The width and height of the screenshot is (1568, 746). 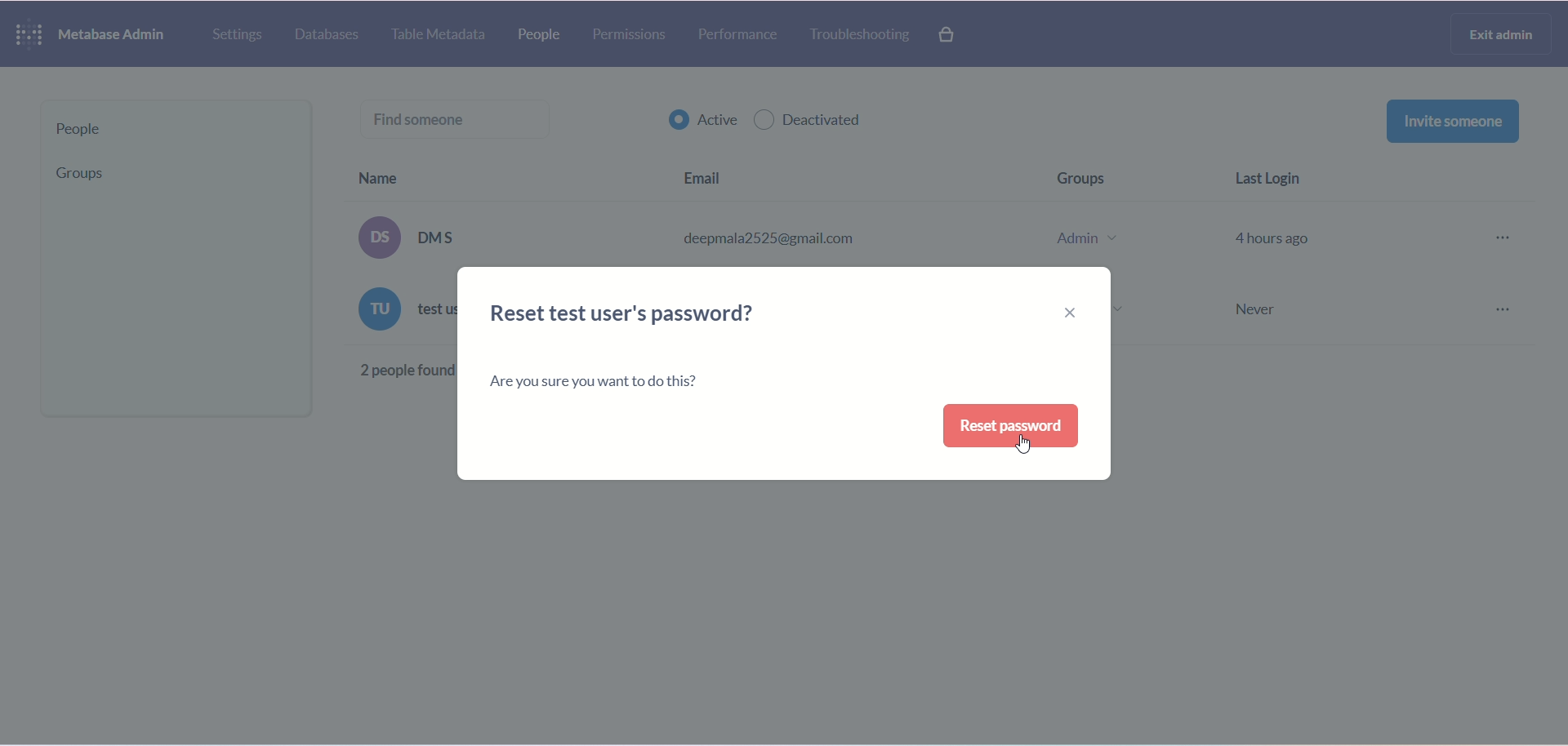 What do you see at coordinates (1027, 446) in the screenshot?
I see `cursor` at bounding box center [1027, 446].